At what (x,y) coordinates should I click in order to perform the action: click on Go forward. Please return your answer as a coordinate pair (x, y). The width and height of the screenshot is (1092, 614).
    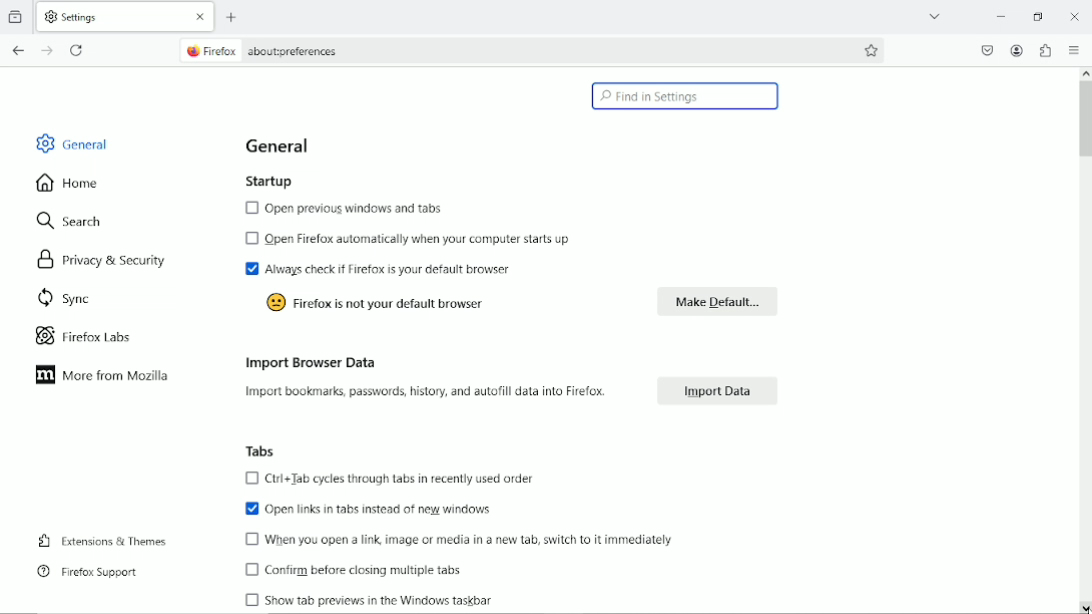
    Looking at the image, I should click on (48, 50).